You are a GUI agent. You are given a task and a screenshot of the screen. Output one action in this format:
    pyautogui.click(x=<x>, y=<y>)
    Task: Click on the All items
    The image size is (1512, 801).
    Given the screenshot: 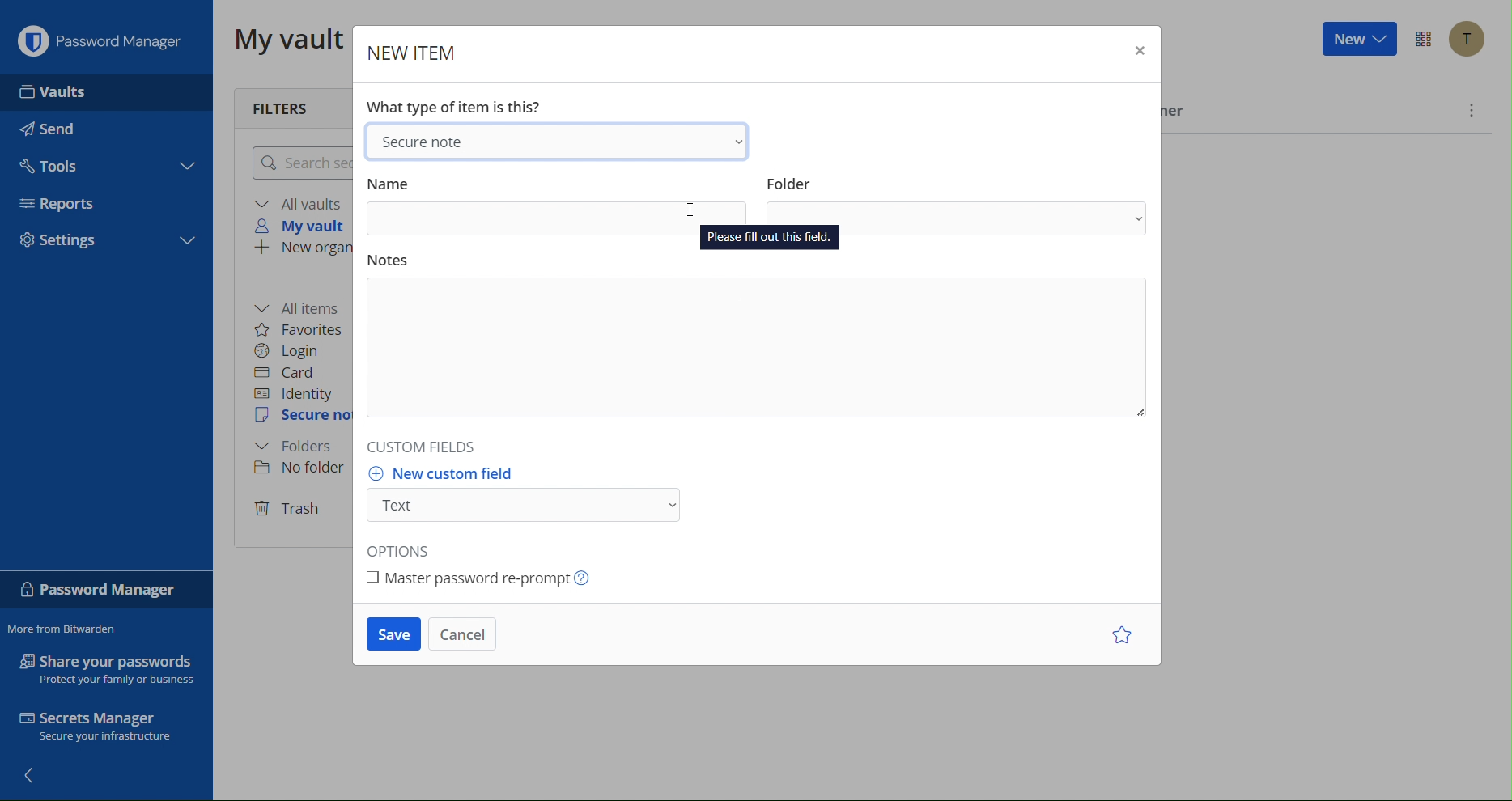 What is the action you would take?
    pyautogui.click(x=304, y=306)
    